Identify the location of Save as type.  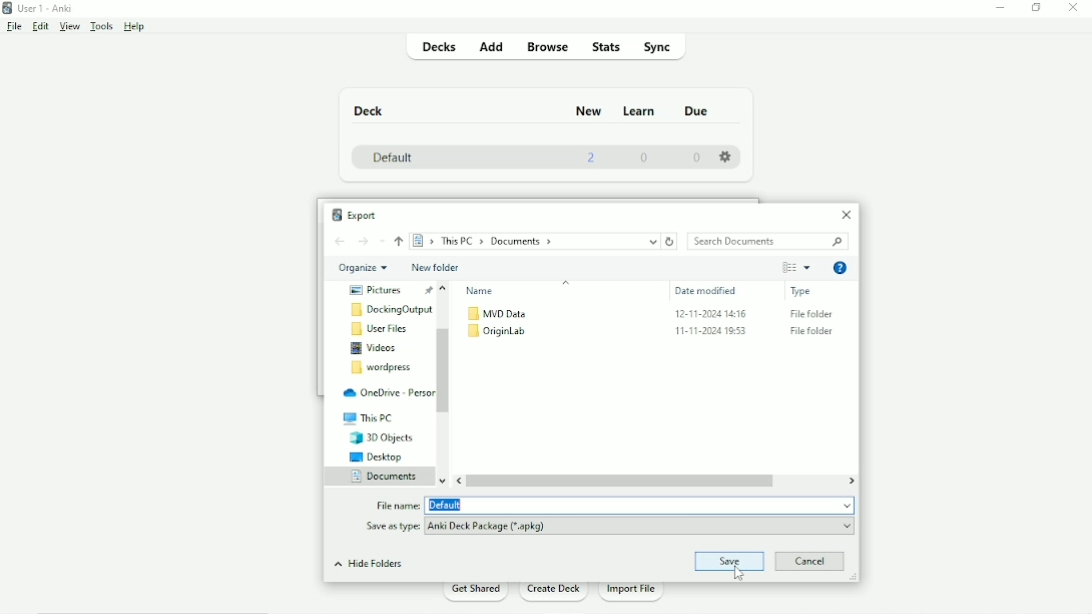
(604, 526).